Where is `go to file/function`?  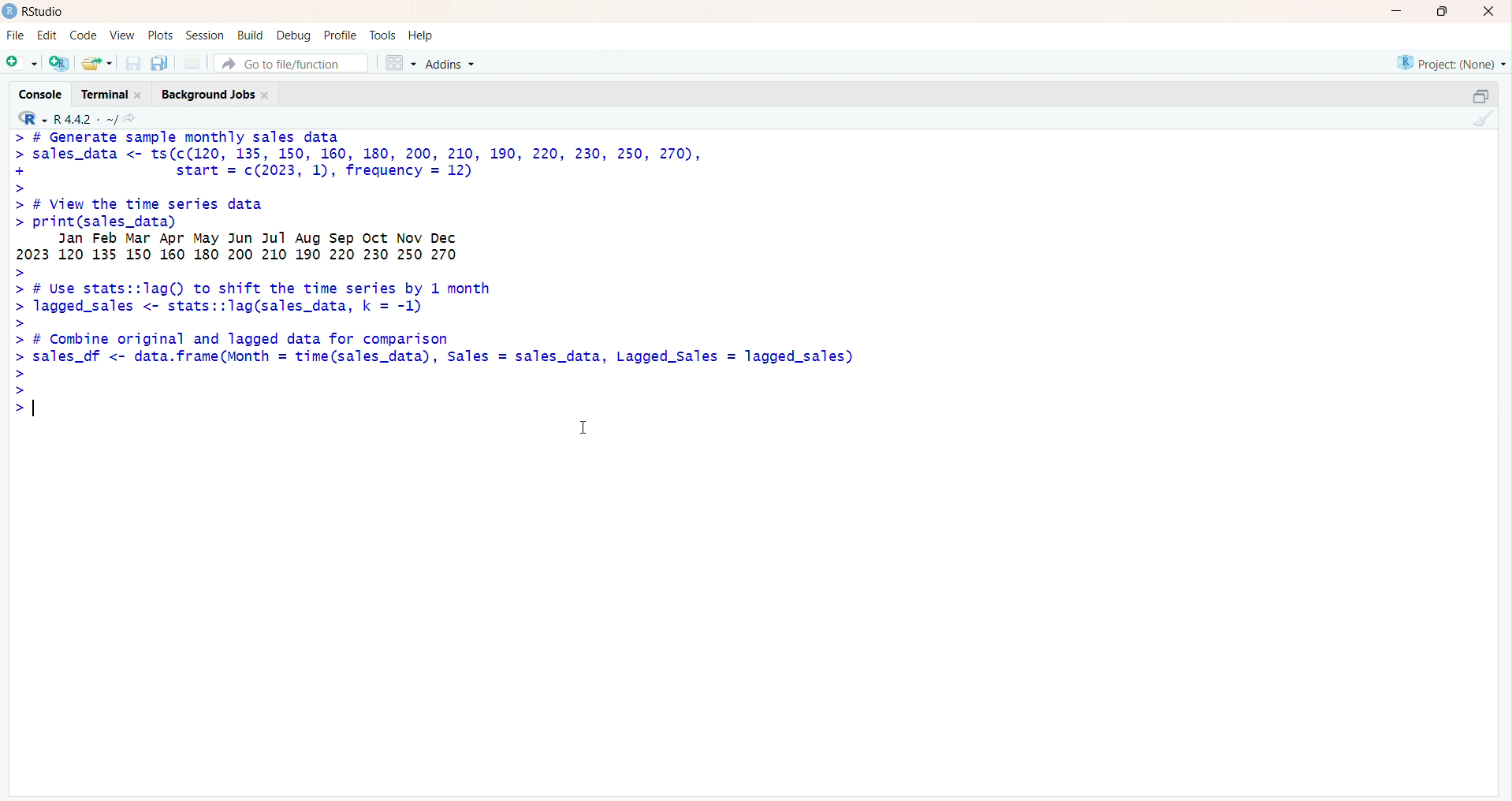
go to file/function is located at coordinates (285, 64).